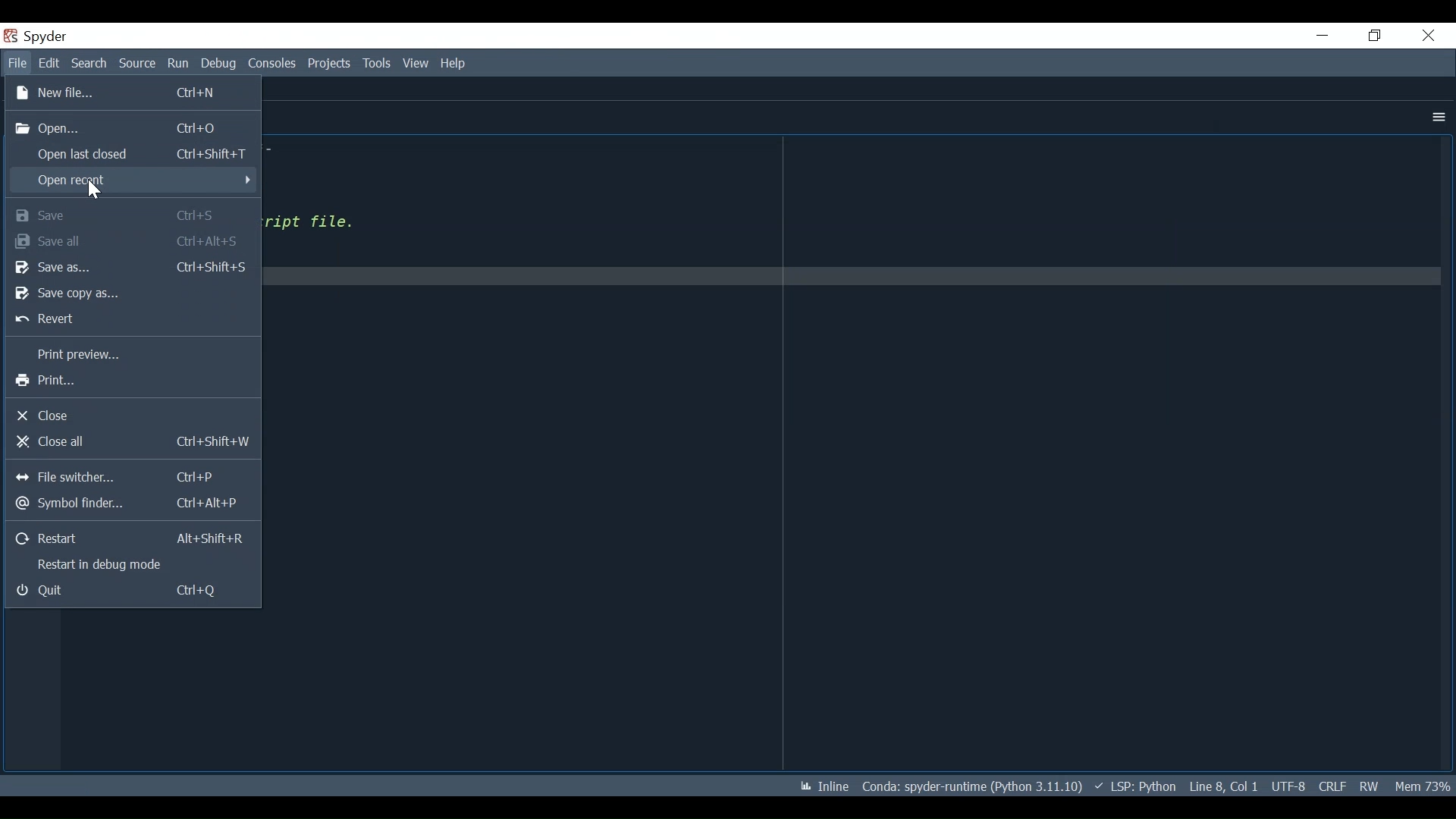  I want to click on Edit, so click(49, 63).